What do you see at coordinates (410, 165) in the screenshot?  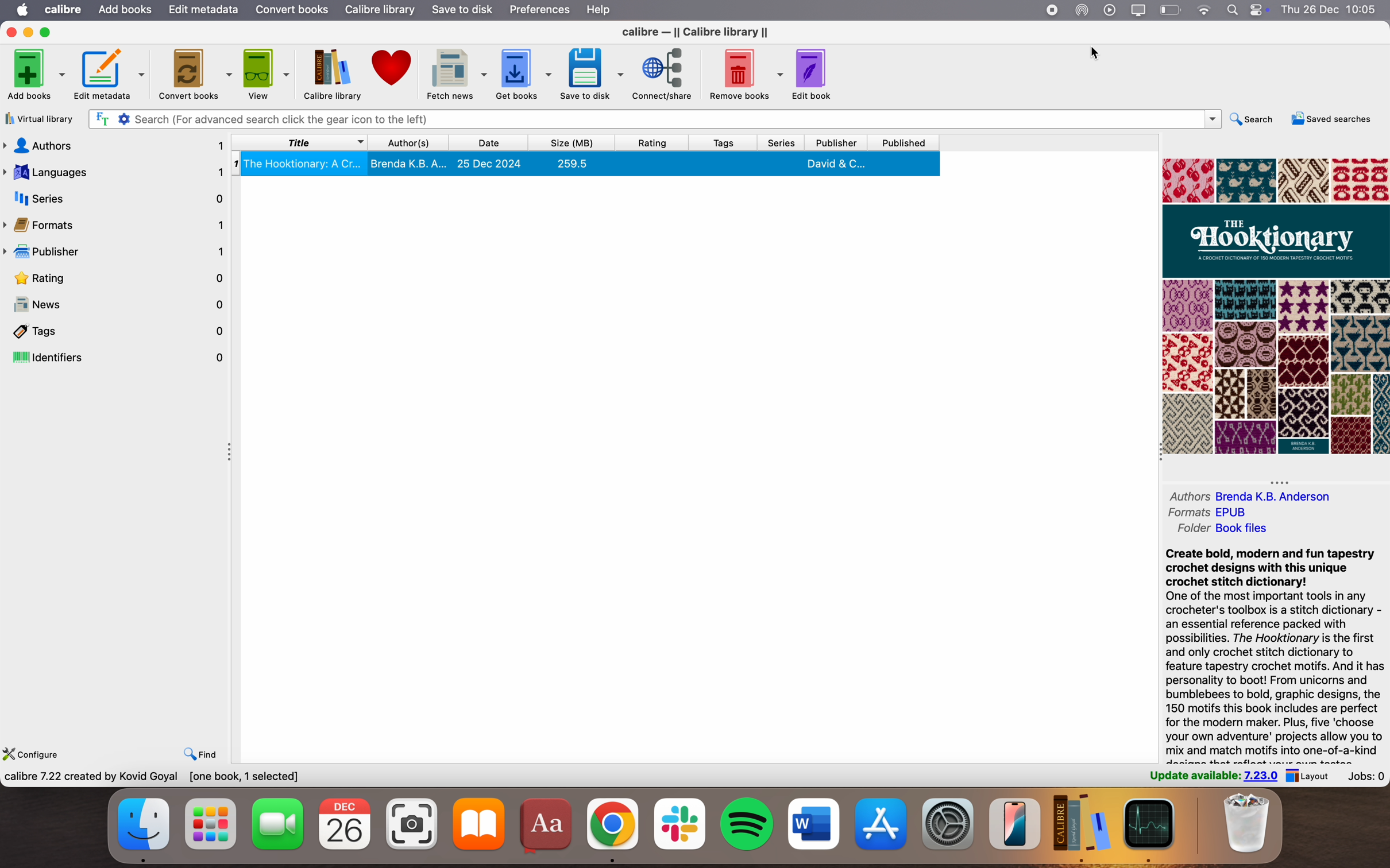 I see `Brendra K.B.A` at bounding box center [410, 165].